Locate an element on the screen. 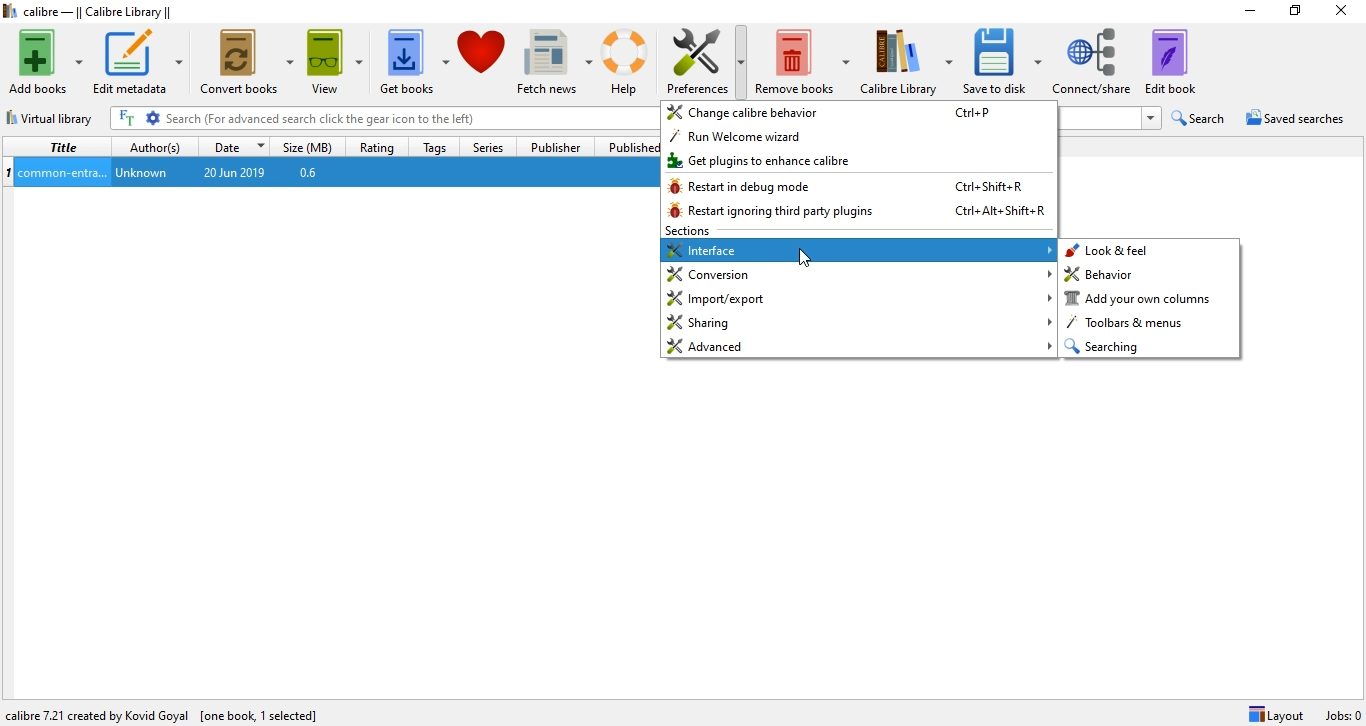 The image size is (1366, 726). get plugins to enhance calibre is located at coordinates (858, 162).